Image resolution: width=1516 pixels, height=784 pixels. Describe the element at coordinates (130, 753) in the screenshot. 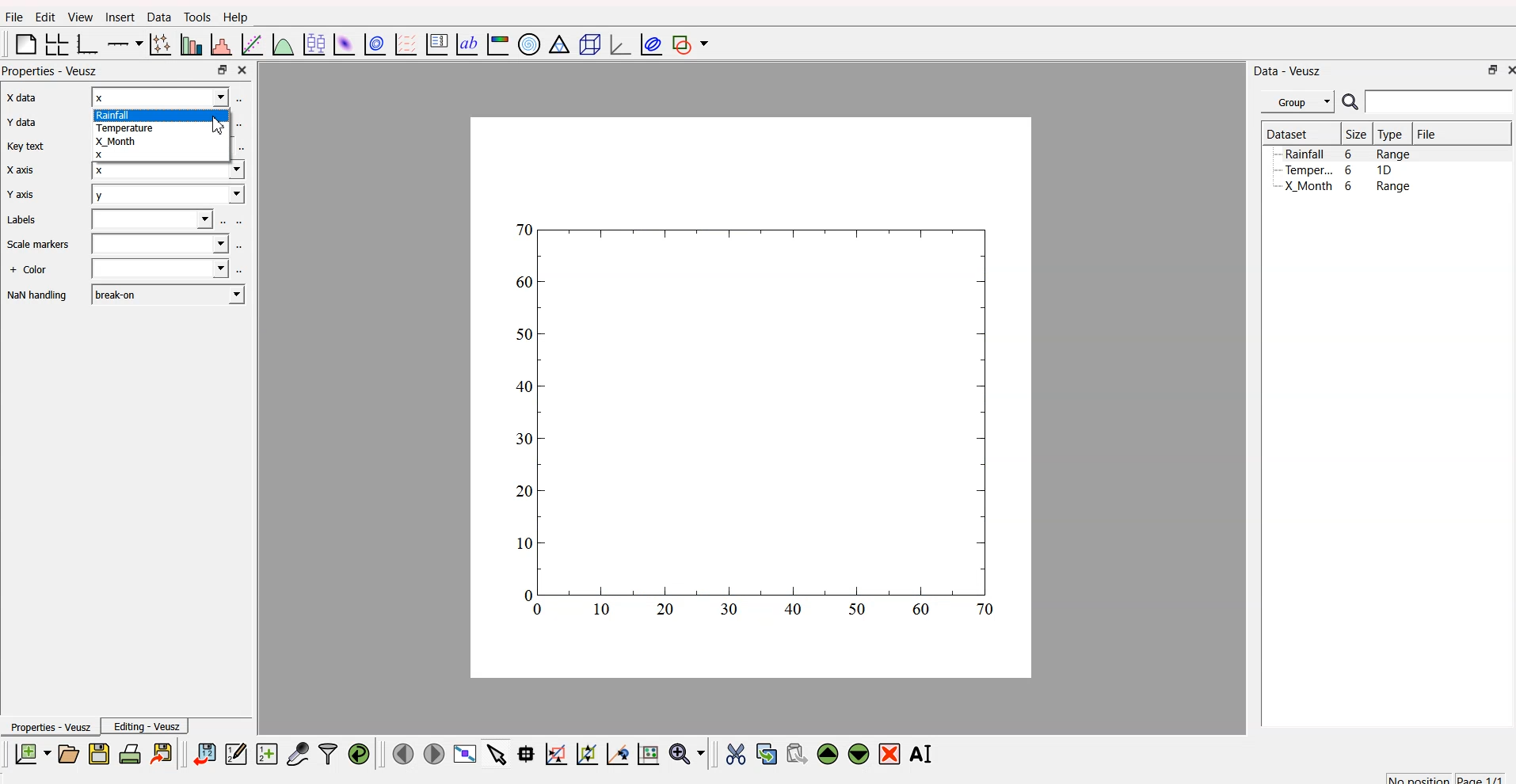

I see `print document` at that location.